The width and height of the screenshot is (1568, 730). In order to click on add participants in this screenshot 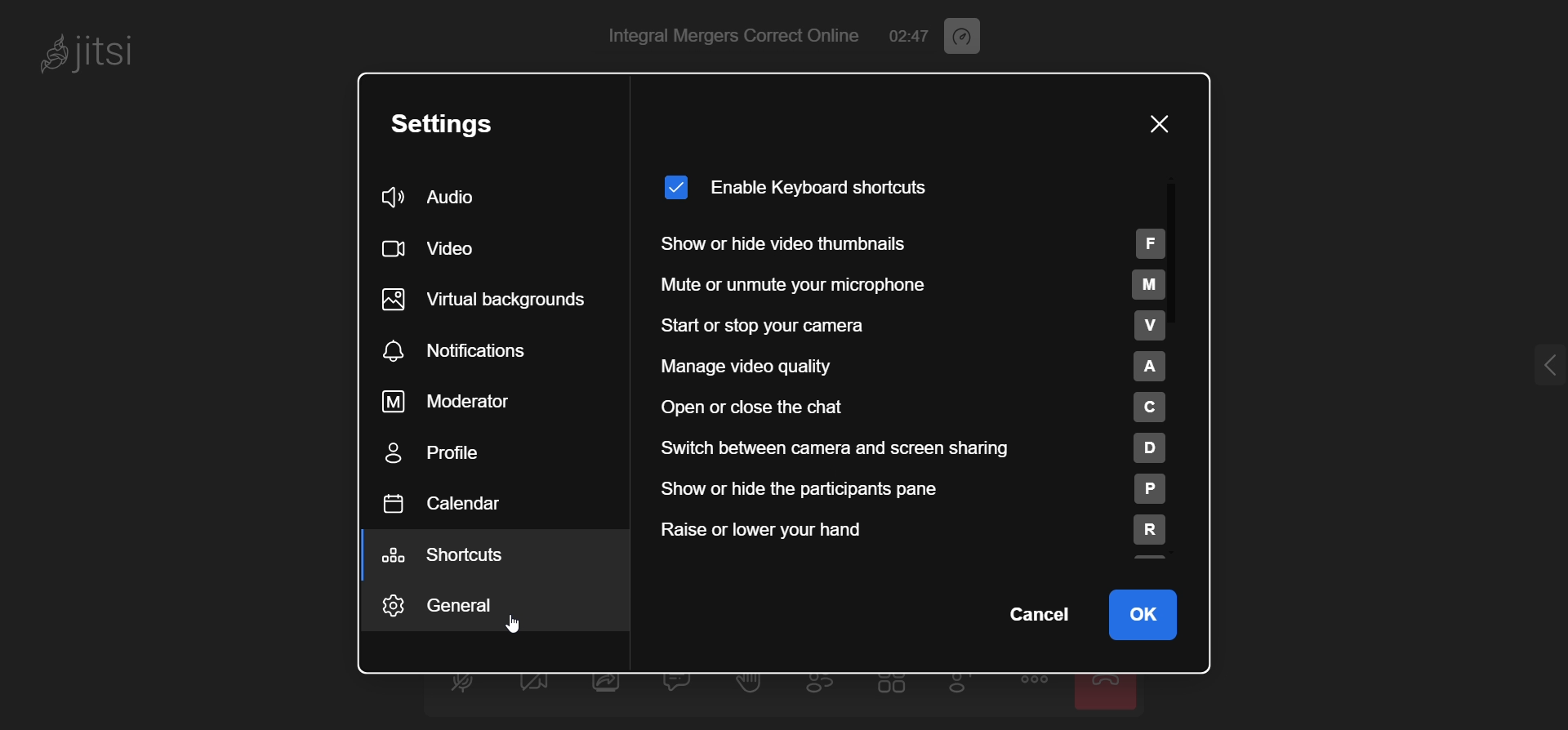, I will do `click(963, 686)`.